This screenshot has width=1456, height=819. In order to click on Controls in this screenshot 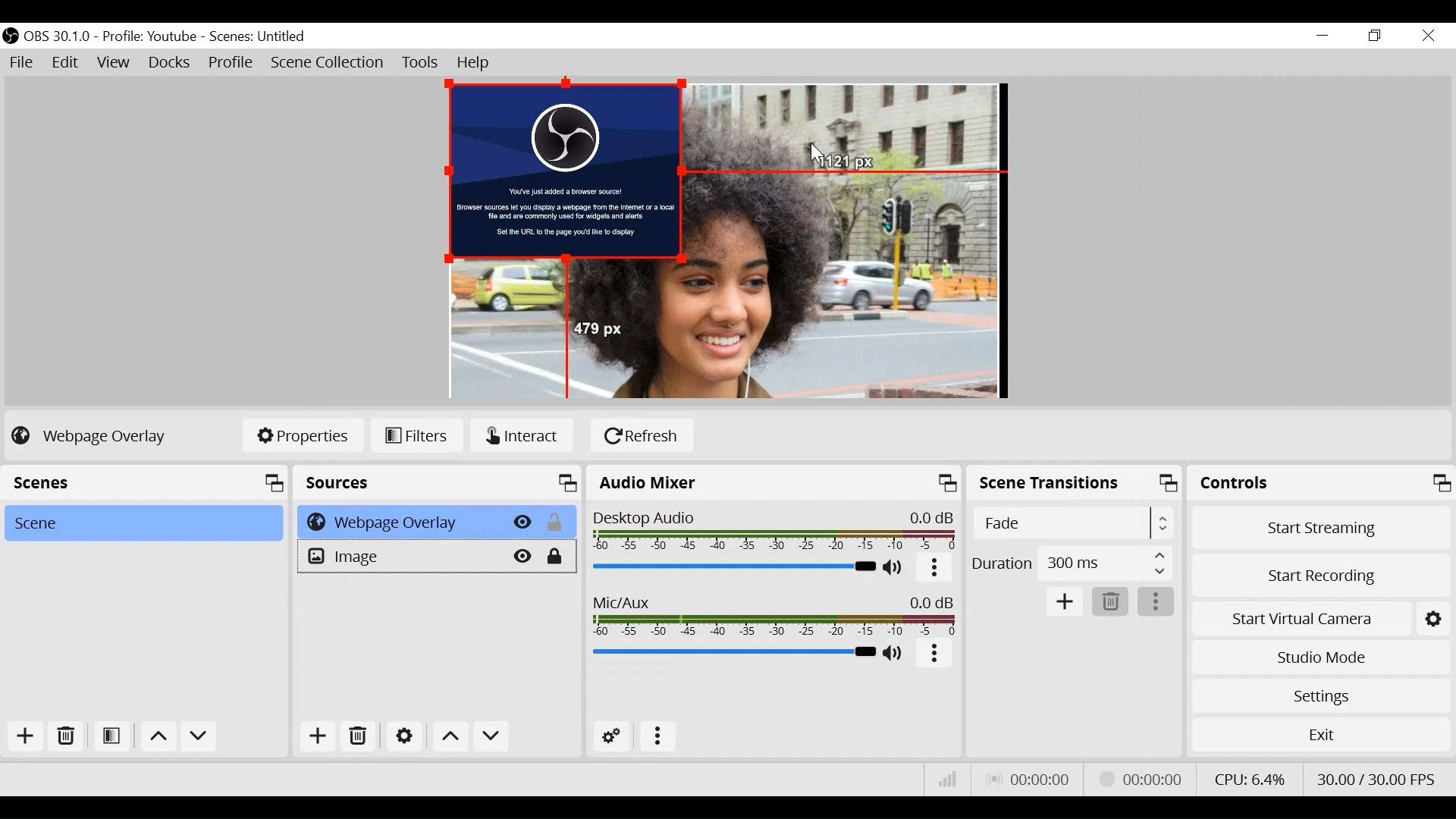, I will do `click(1323, 482)`.